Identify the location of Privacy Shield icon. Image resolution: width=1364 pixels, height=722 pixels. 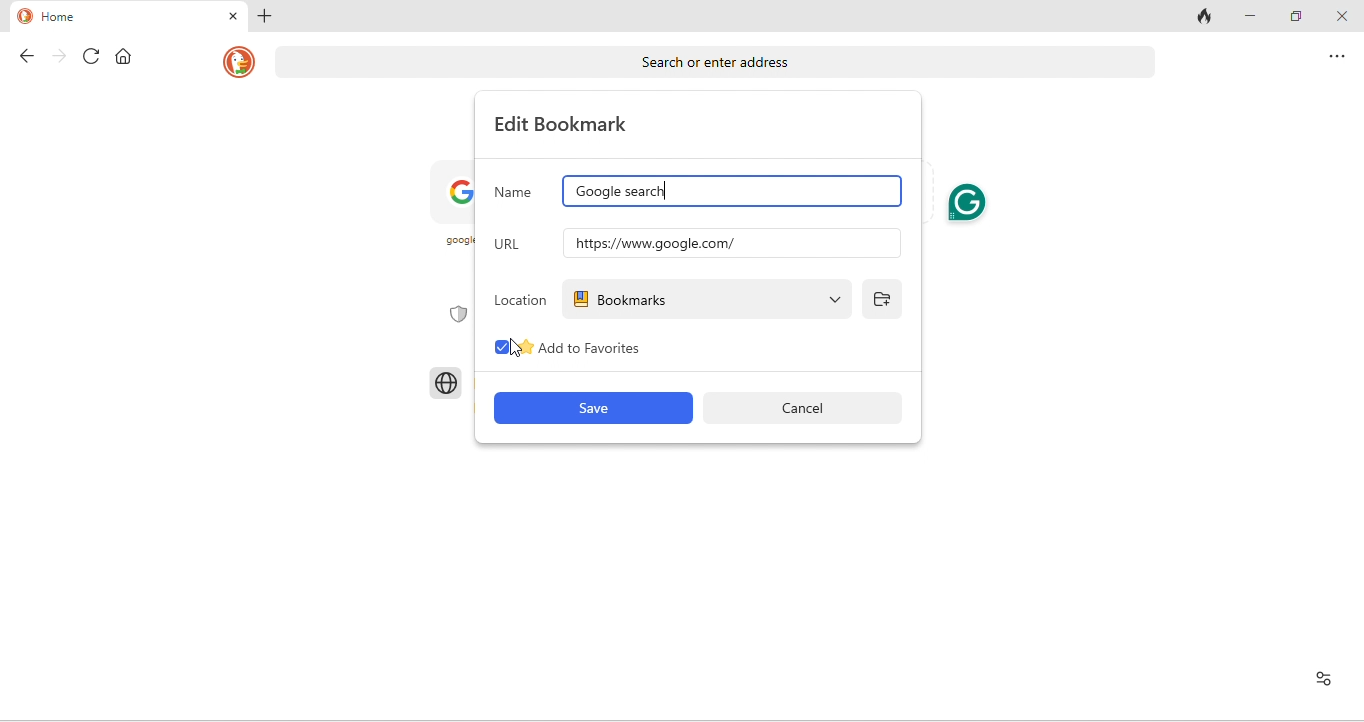
(454, 314).